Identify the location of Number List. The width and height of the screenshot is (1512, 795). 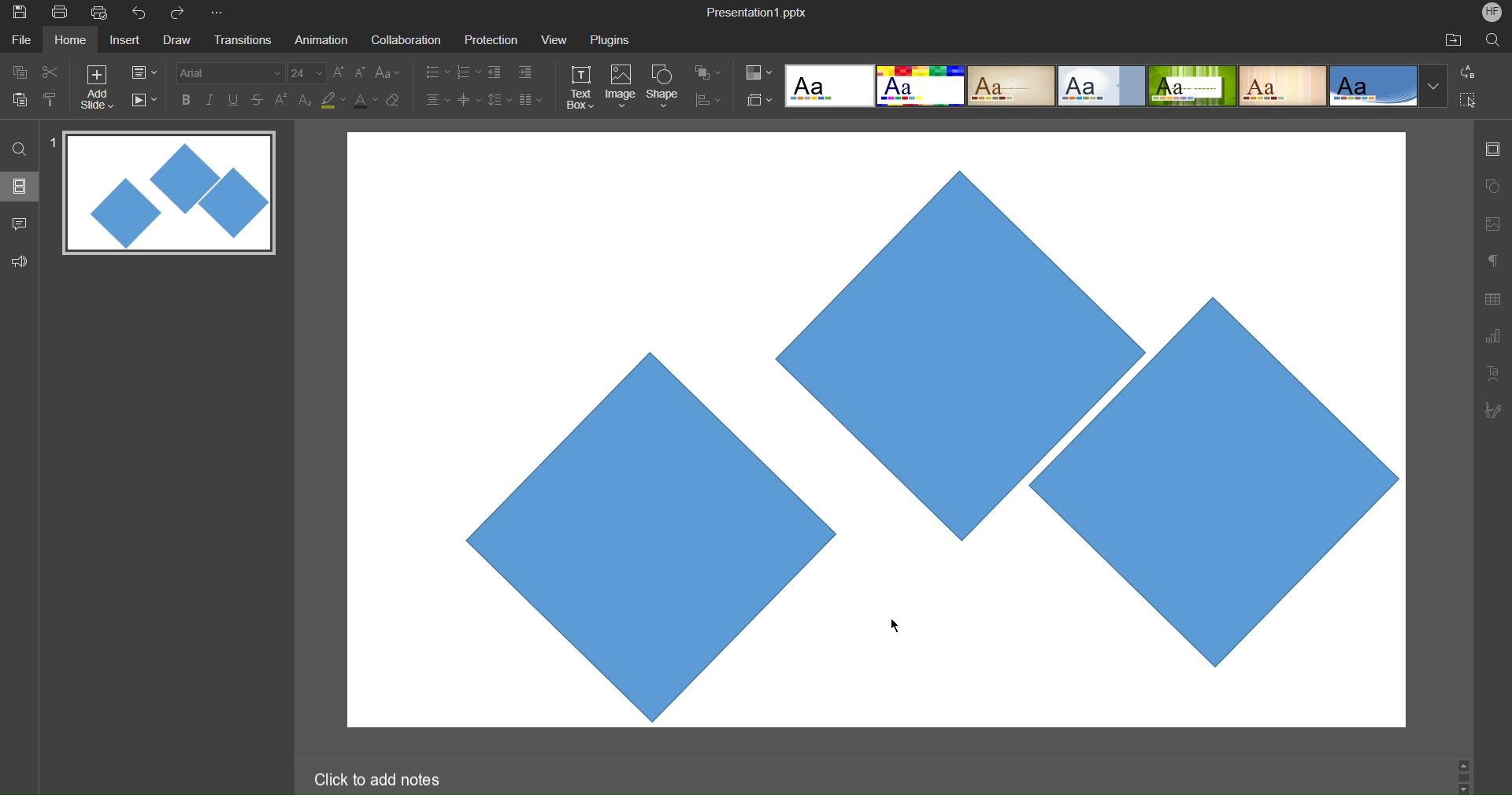
(467, 74).